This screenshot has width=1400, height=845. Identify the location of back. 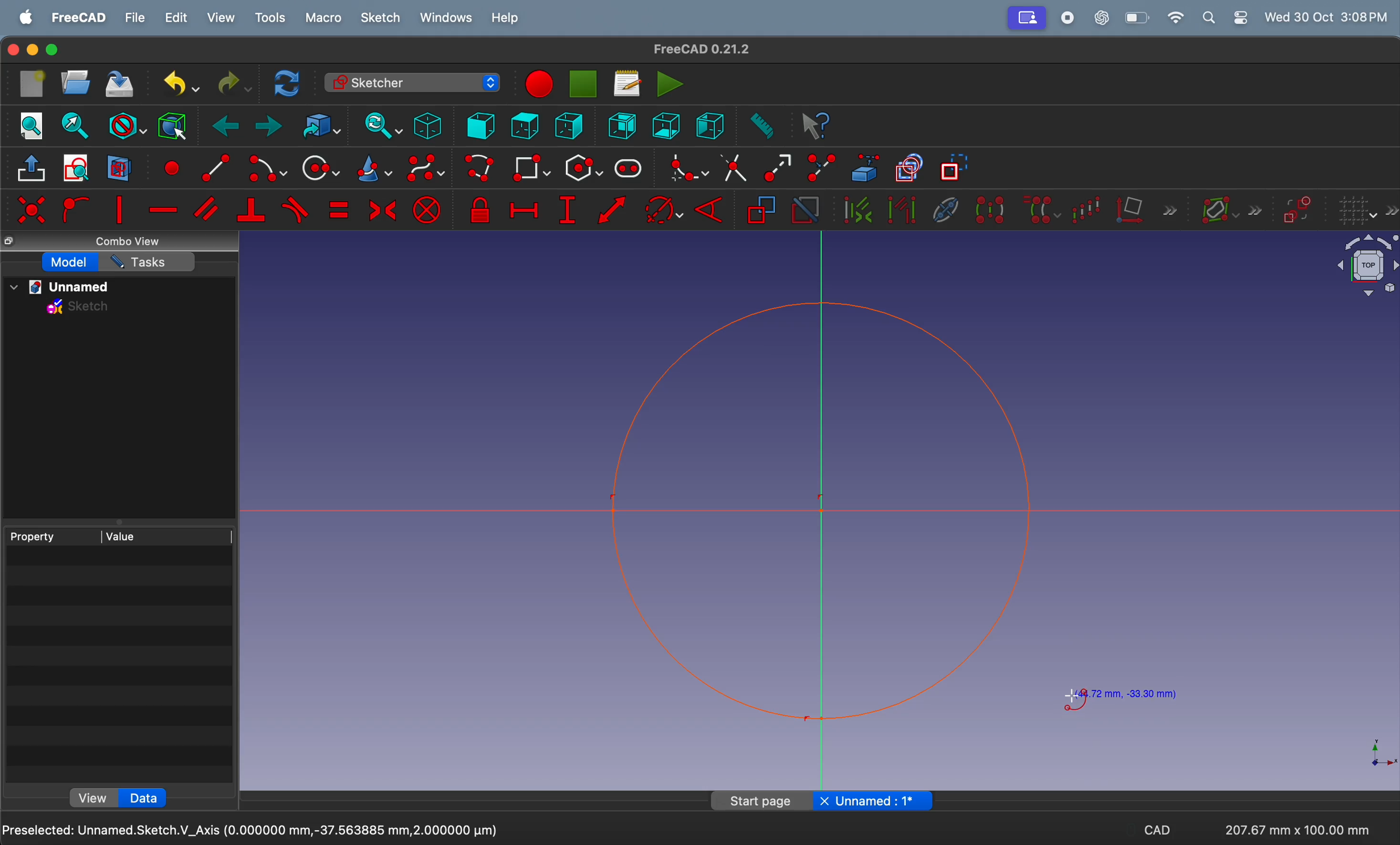
(228, 127).